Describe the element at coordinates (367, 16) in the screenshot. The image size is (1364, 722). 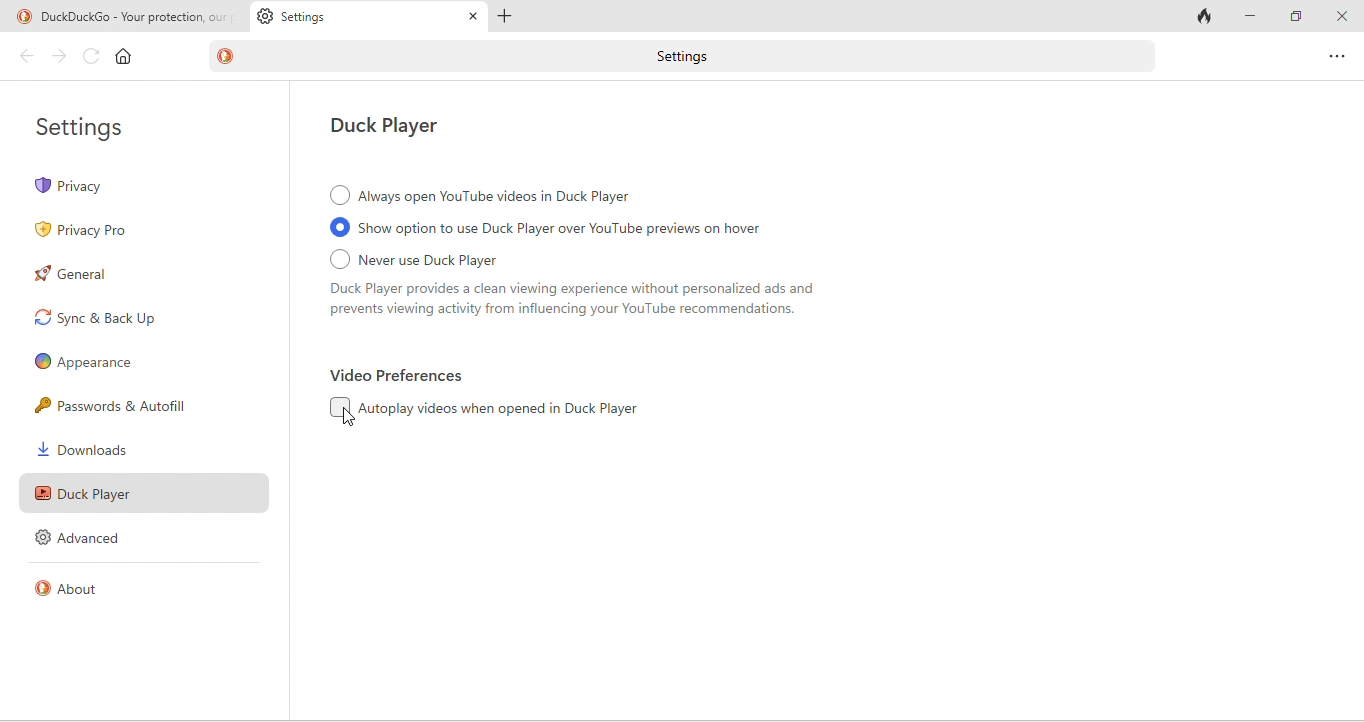
I see `settings` at that location.